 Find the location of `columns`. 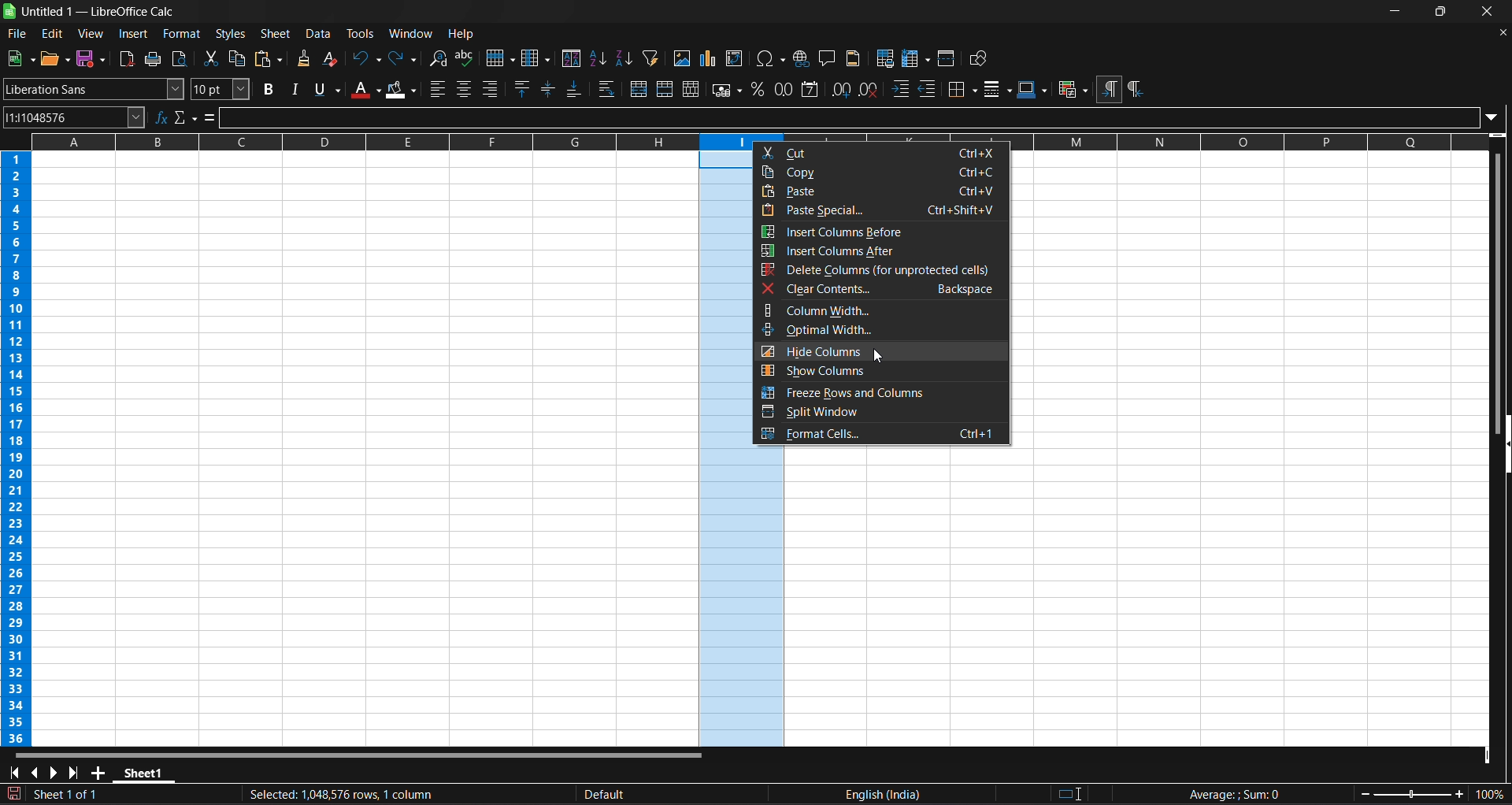

columns is located at coordinates (535, 57).